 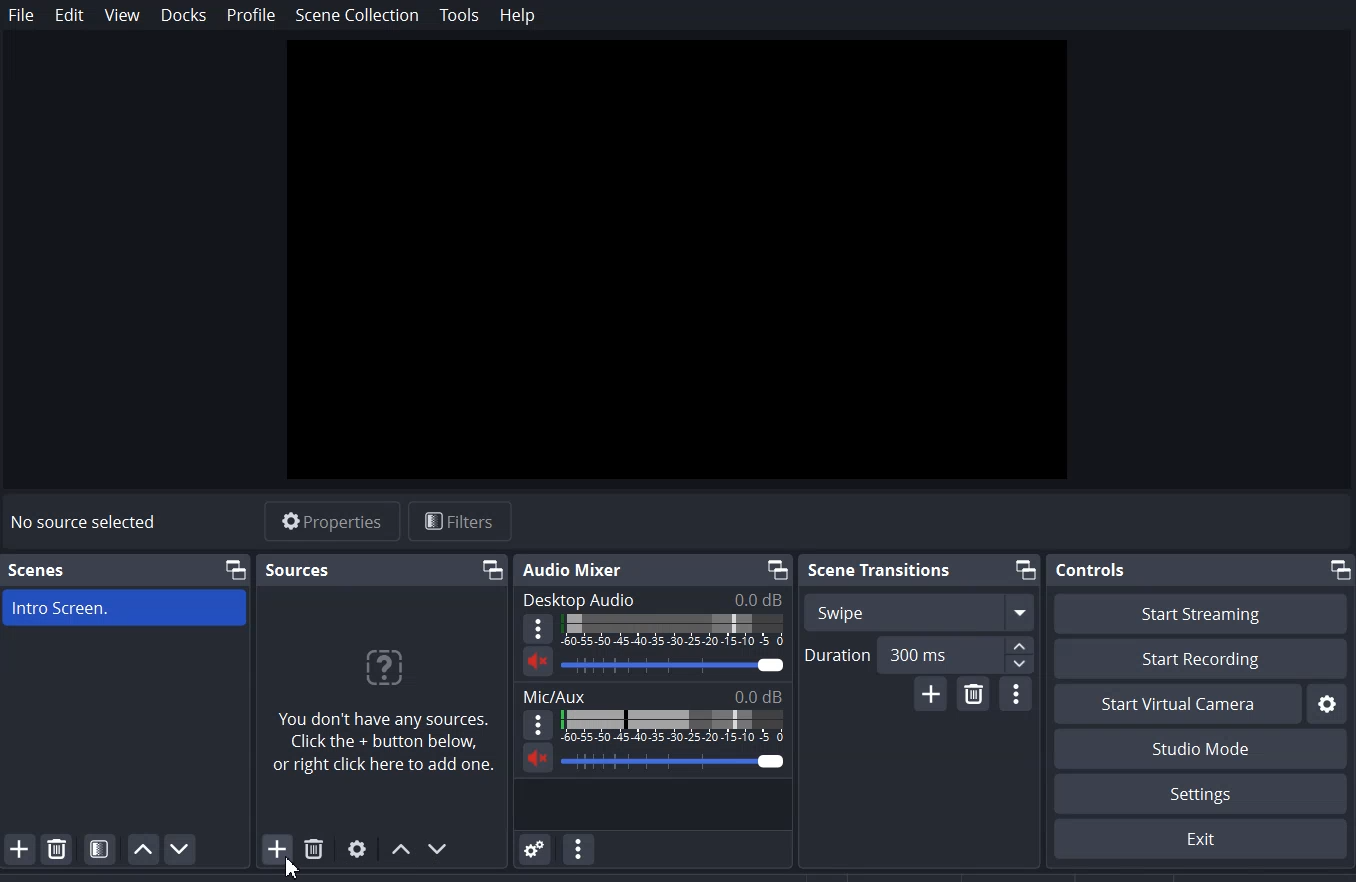 I want to click on Scene Collection, so click(x=358, y=16).